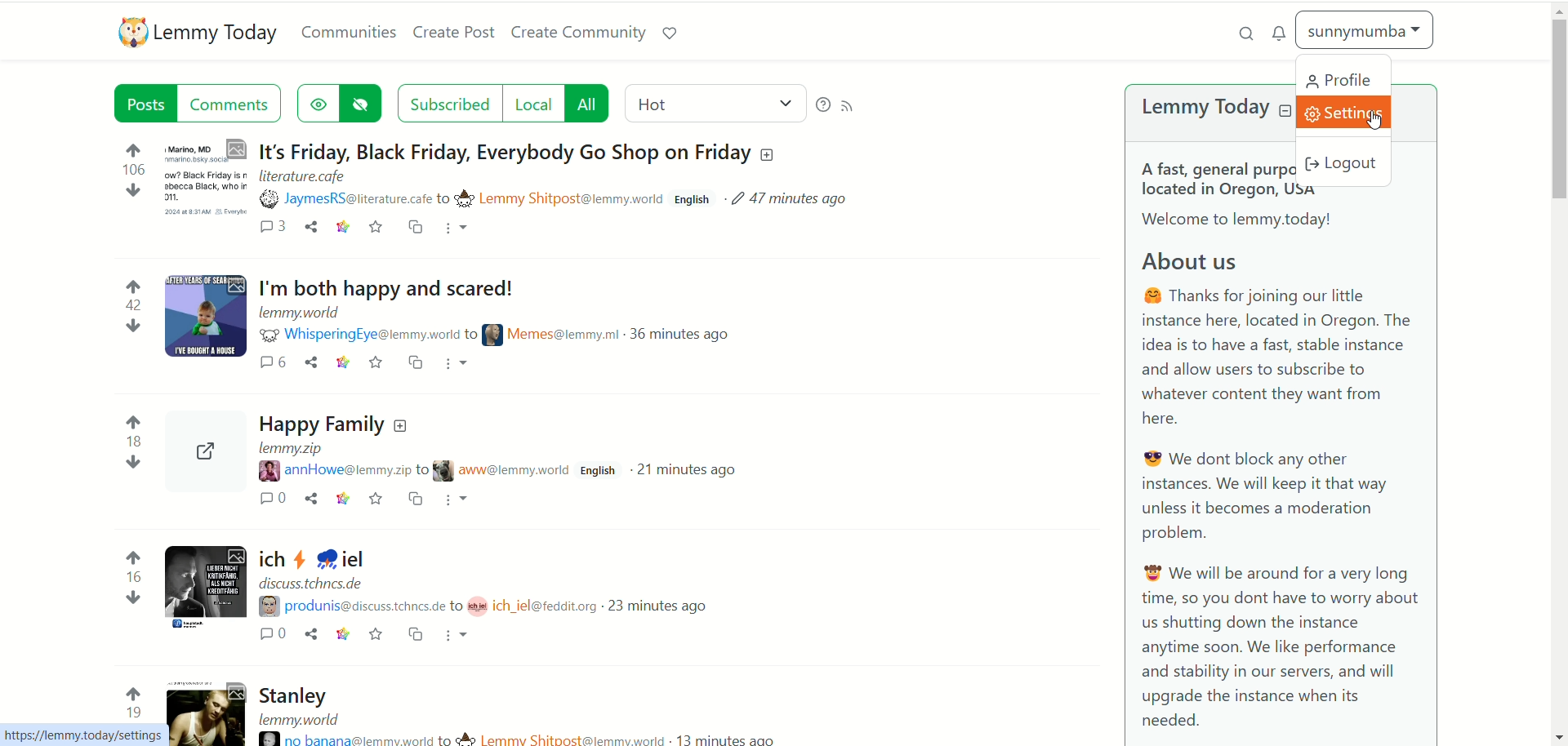  Describe the element at coordinates (349, 33) in the screenshot. I see `communities` at that location.